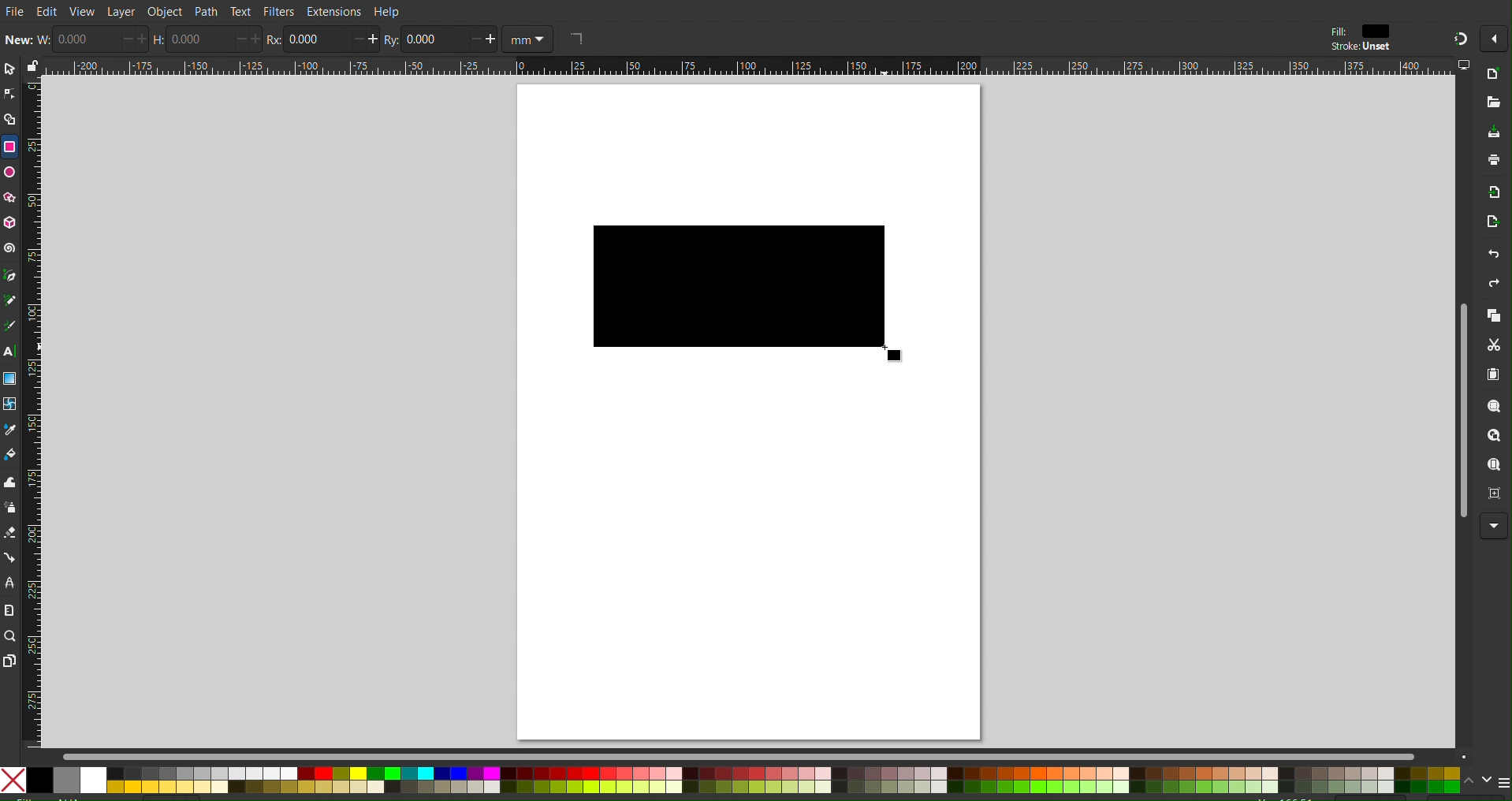 This screenshot has width=1512, height=801. I want to click on Filters, so click(278, 13).